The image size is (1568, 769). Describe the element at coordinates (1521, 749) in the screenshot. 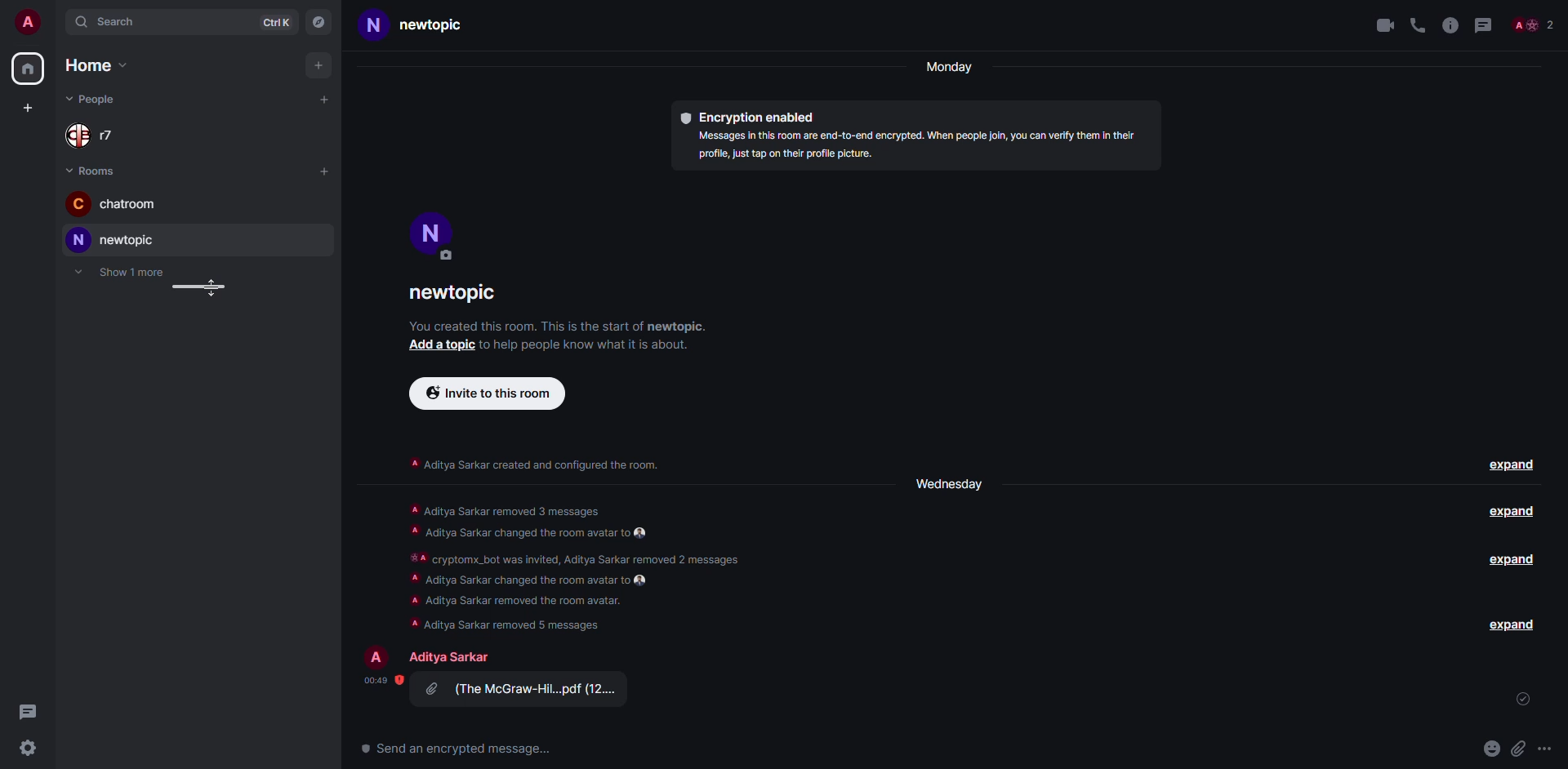

I see `attach` at that location.